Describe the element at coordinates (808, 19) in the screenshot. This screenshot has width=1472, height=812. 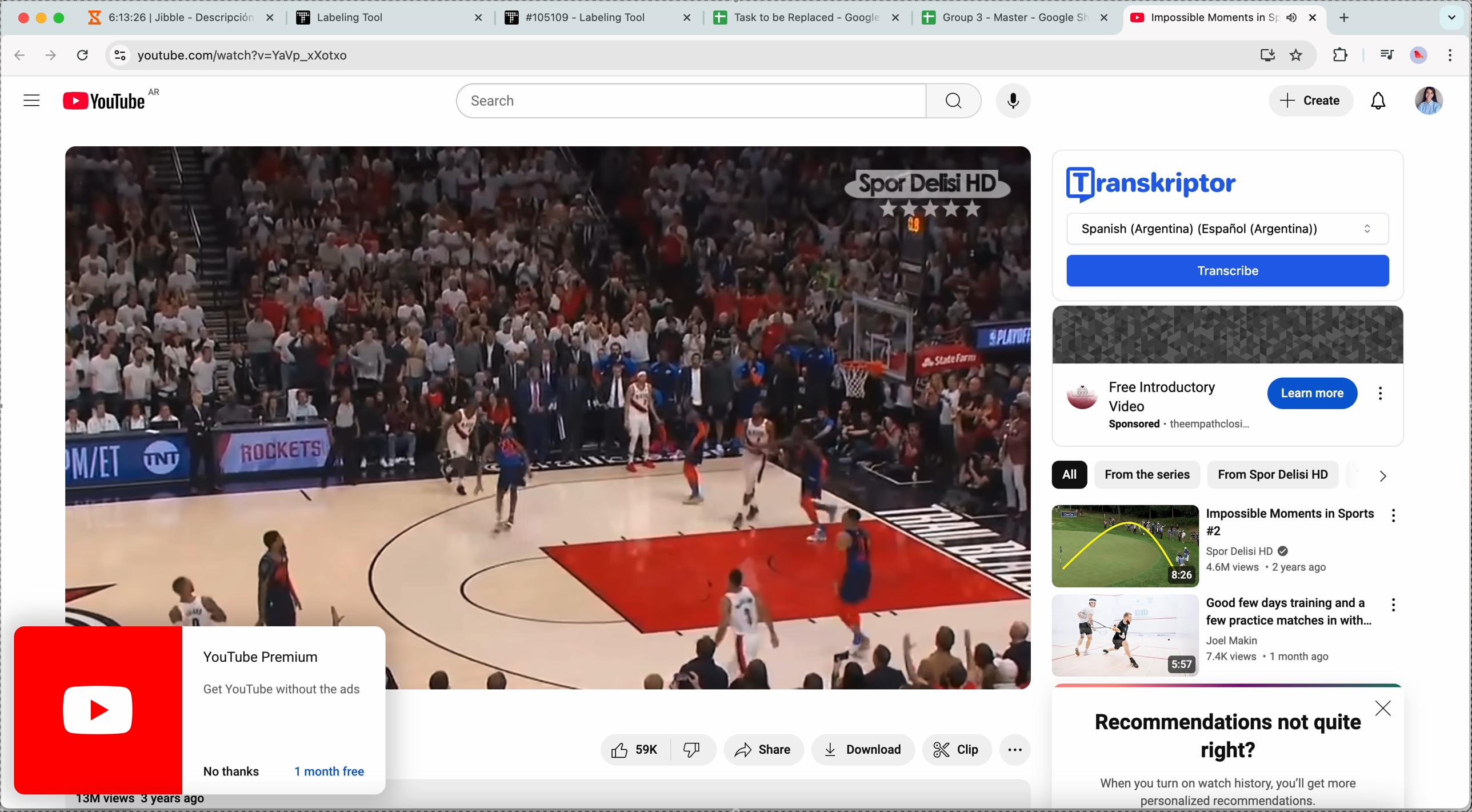
I see `tab` at that location.